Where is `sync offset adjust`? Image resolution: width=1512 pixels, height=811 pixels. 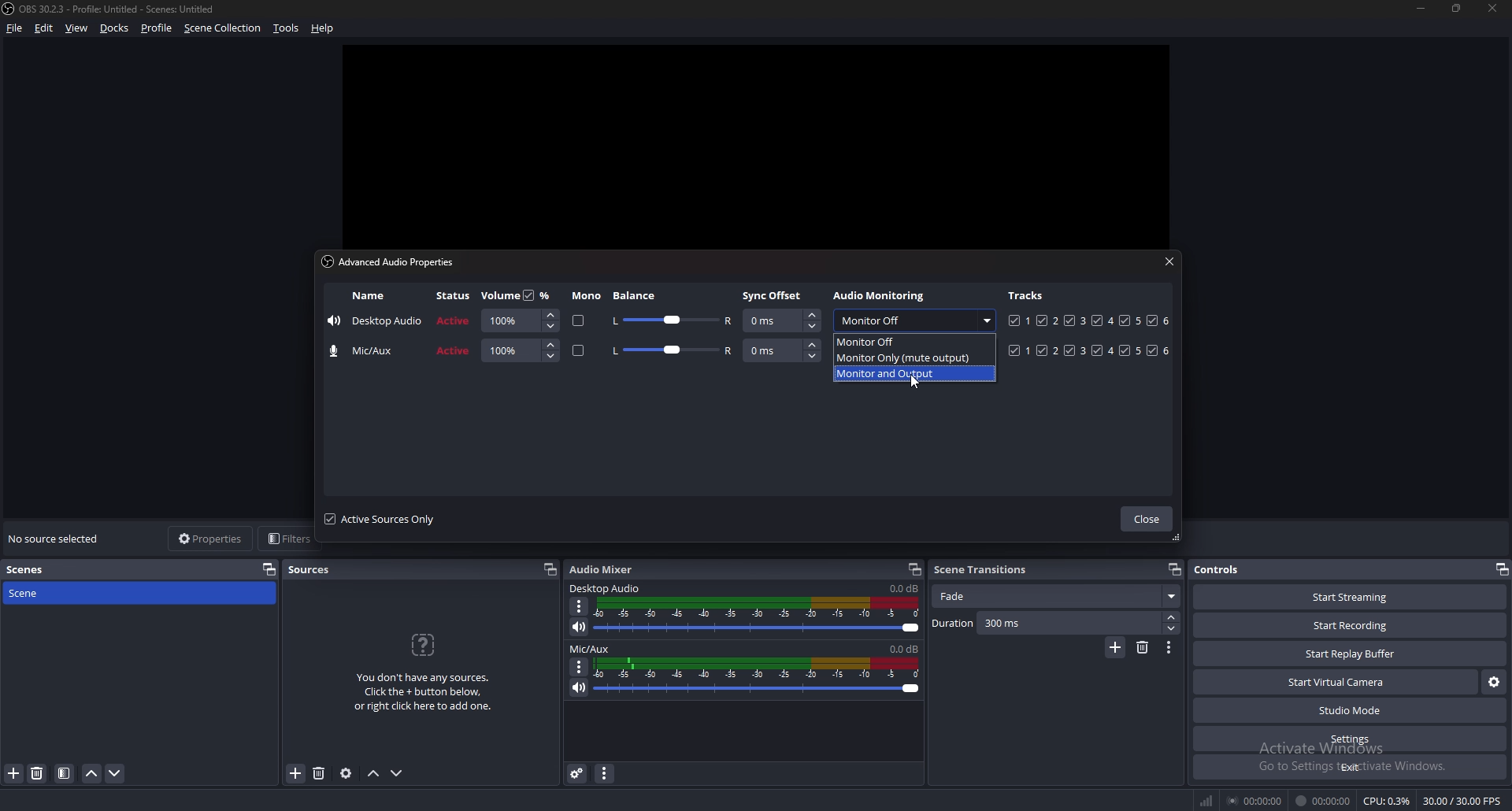 sync offset adjust is located at coordinates (782, 350).